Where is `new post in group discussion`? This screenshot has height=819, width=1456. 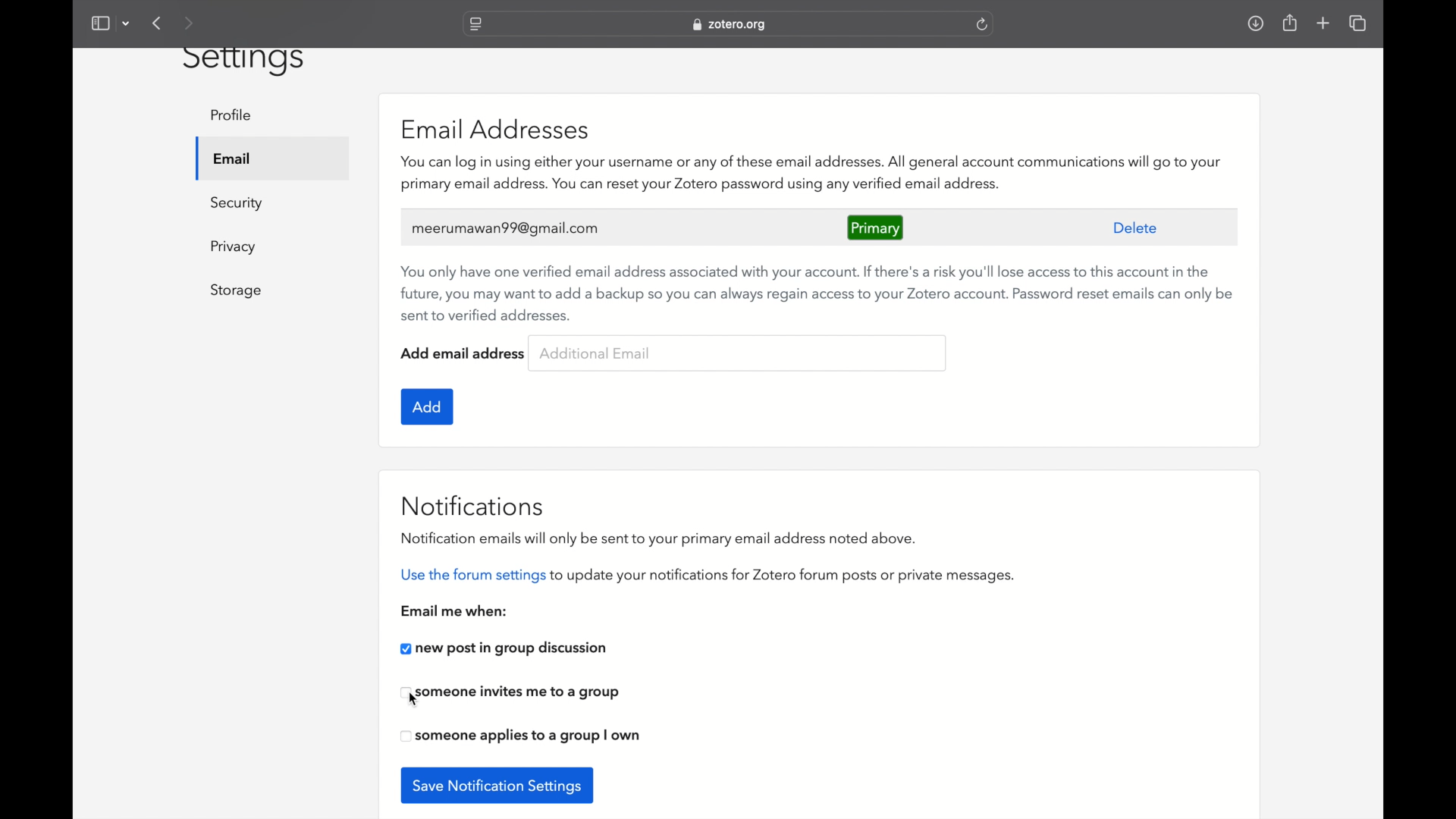 new post in group discussion is located at coordinates (501, 648).